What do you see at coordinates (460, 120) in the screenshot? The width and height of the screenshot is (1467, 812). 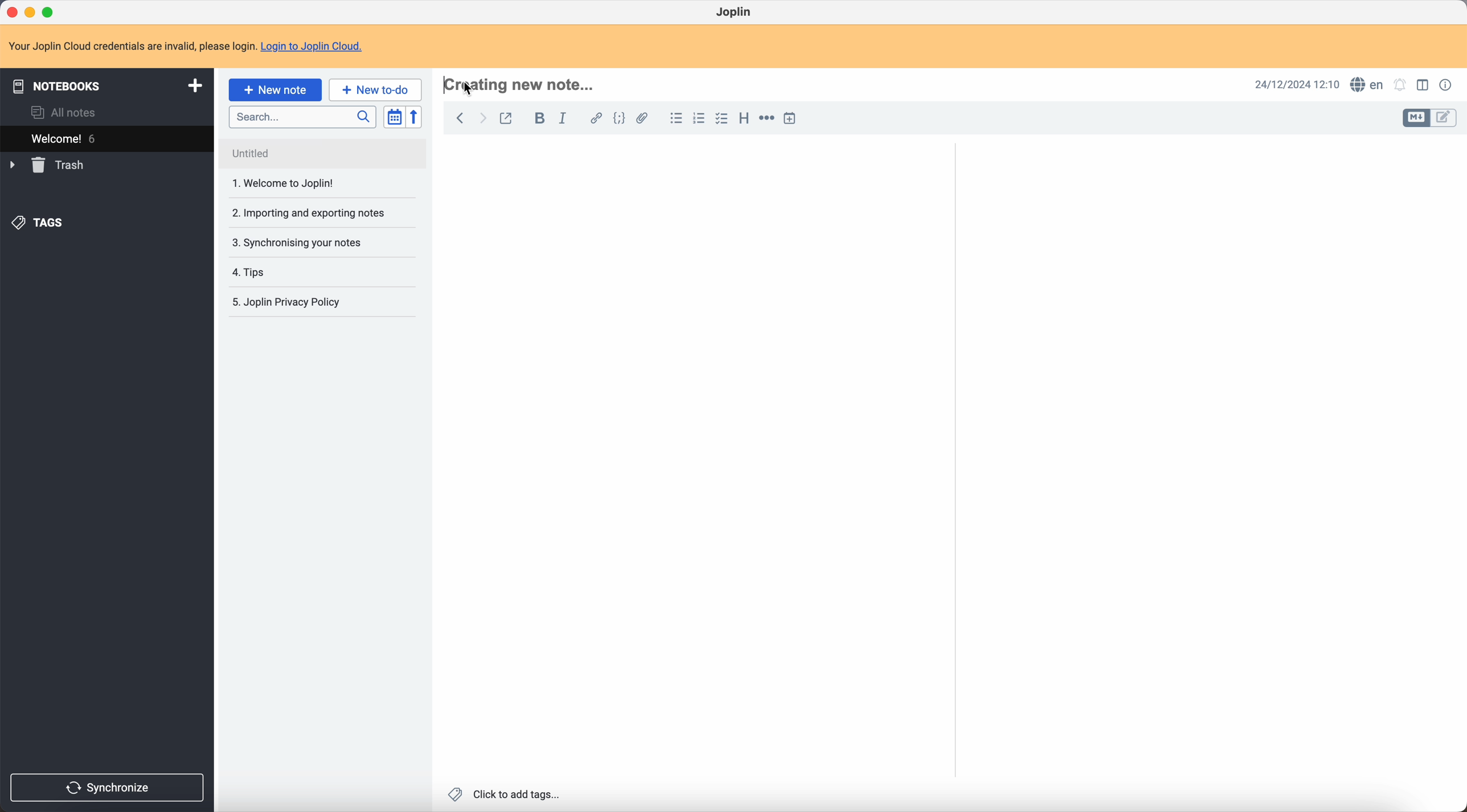 I see `back` at bounding box center [460, 120].